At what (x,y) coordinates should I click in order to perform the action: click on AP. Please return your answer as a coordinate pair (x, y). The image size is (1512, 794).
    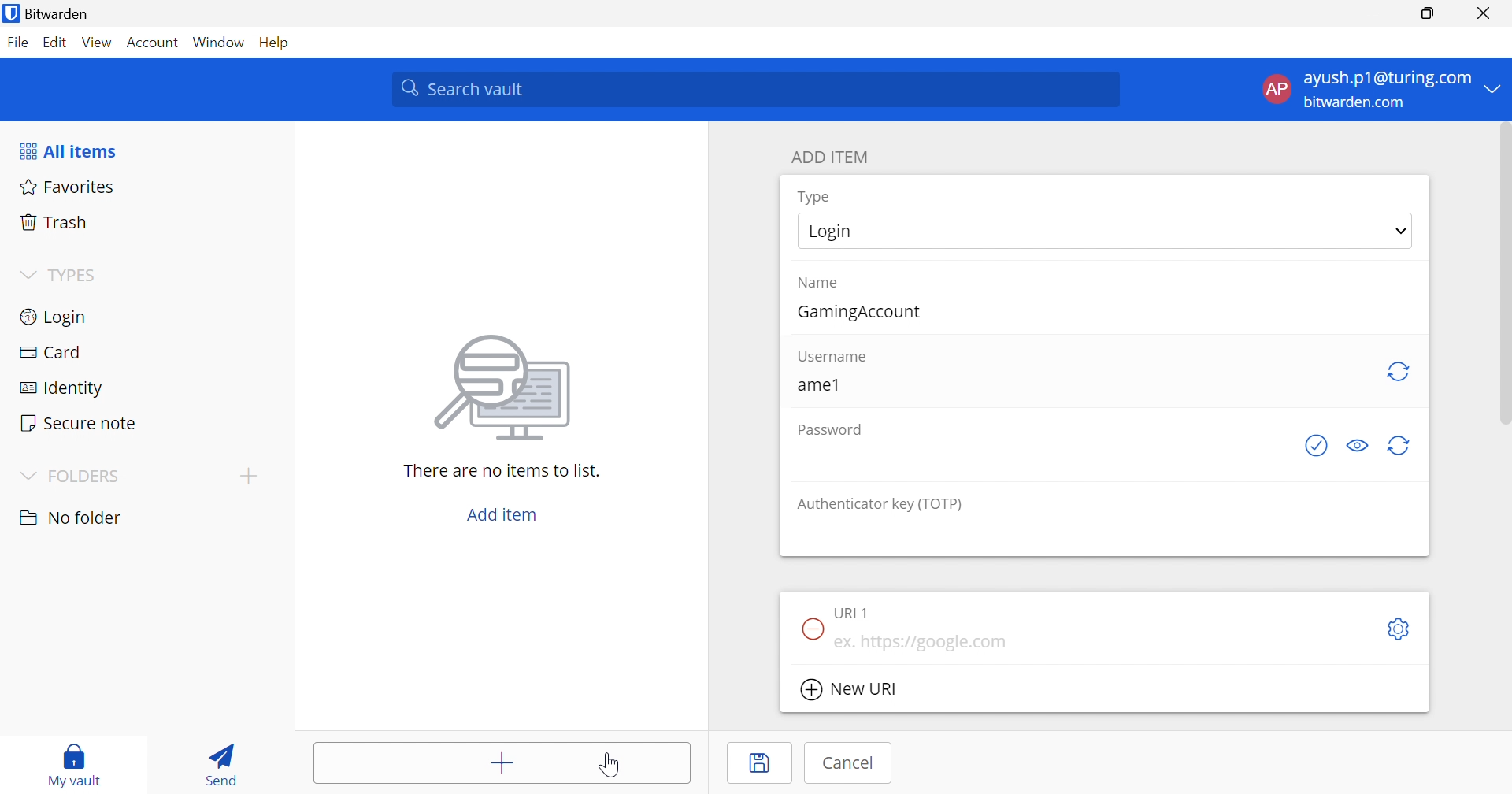
    Looking at the image, I should click on (1277, 88).